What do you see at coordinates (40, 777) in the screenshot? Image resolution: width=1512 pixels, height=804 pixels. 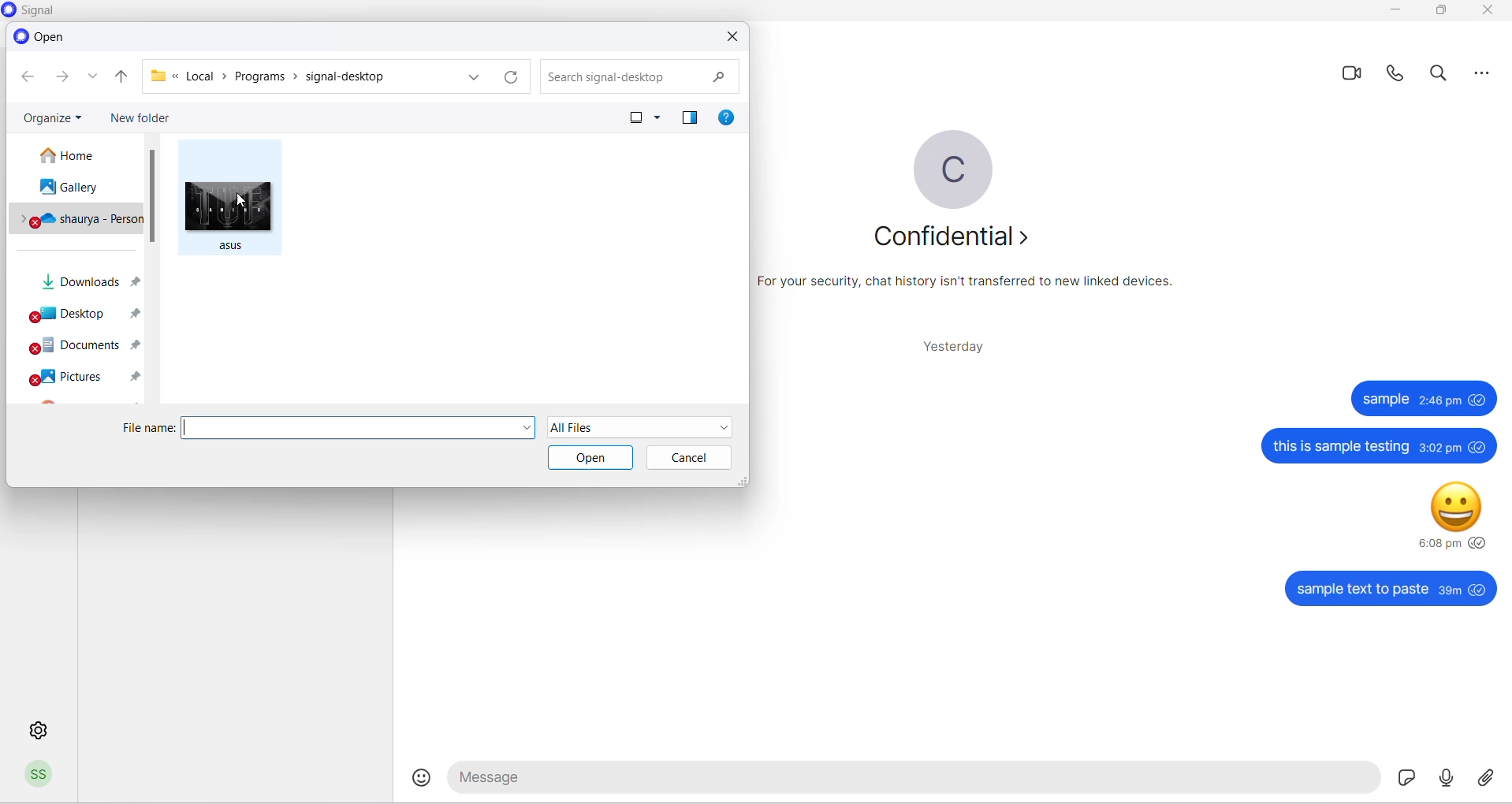 I see `profile` at bounding box center [40, 777].